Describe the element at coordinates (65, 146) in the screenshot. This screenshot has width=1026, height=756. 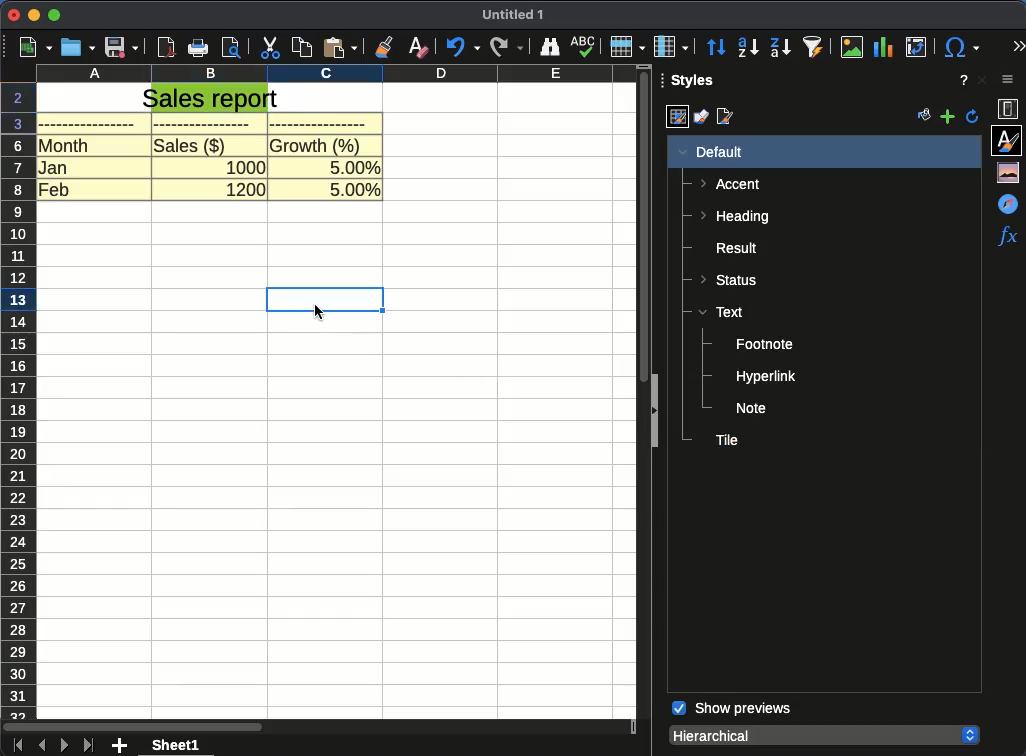
I see `month` at that location.